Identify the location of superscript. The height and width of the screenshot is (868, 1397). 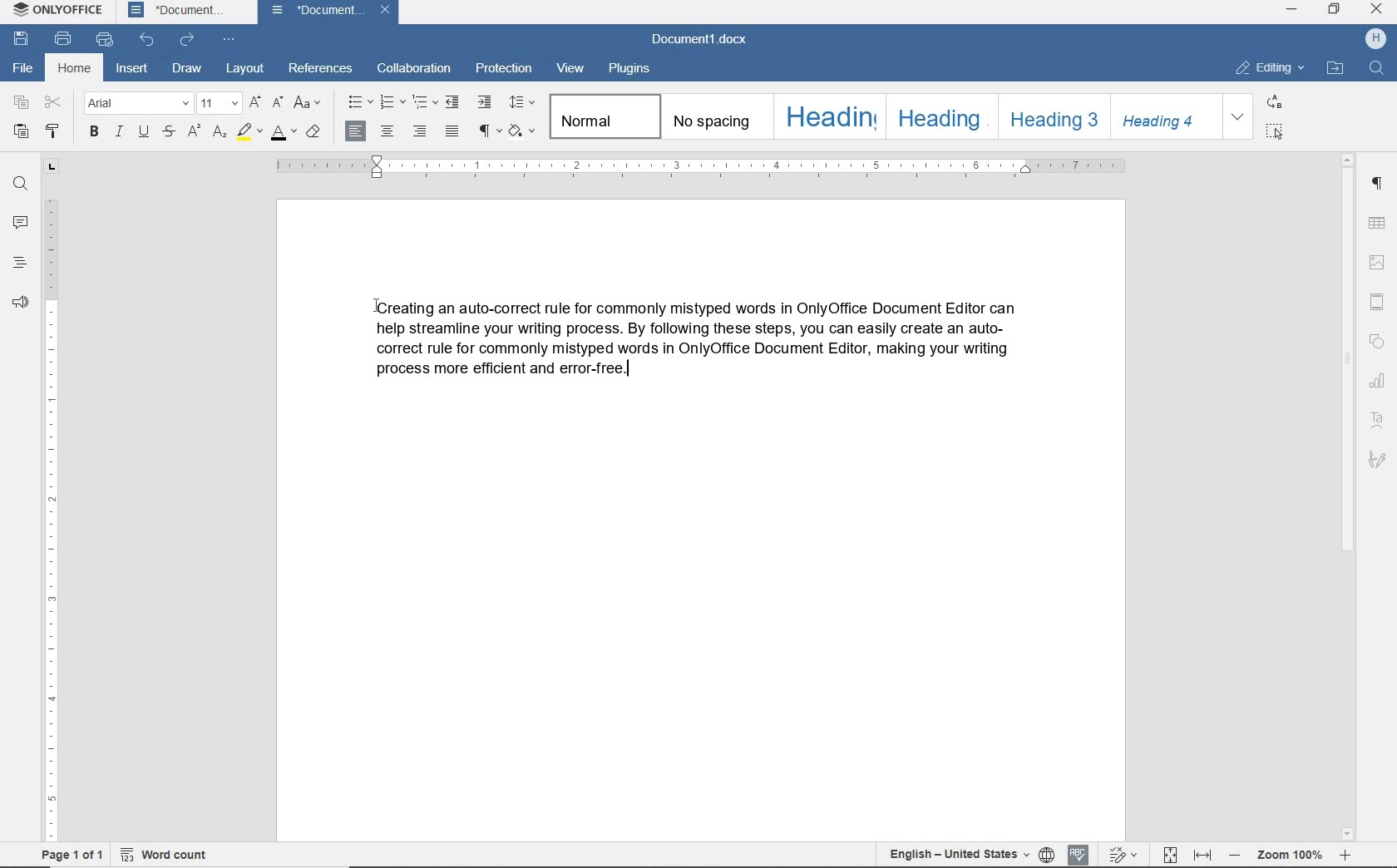
(195, 132).